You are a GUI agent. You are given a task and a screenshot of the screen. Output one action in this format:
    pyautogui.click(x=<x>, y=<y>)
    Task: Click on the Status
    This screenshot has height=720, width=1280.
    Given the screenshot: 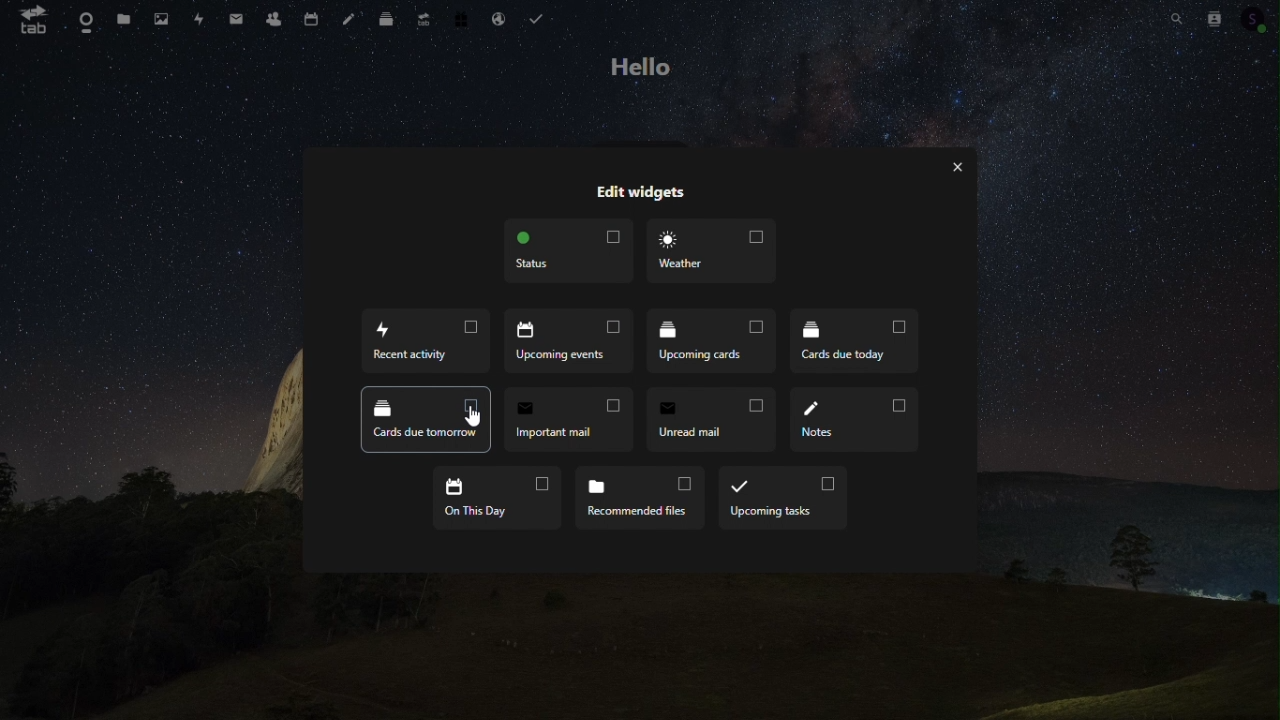 What is the action you would take?
    pyautogui.click(x=568, y=251)
    